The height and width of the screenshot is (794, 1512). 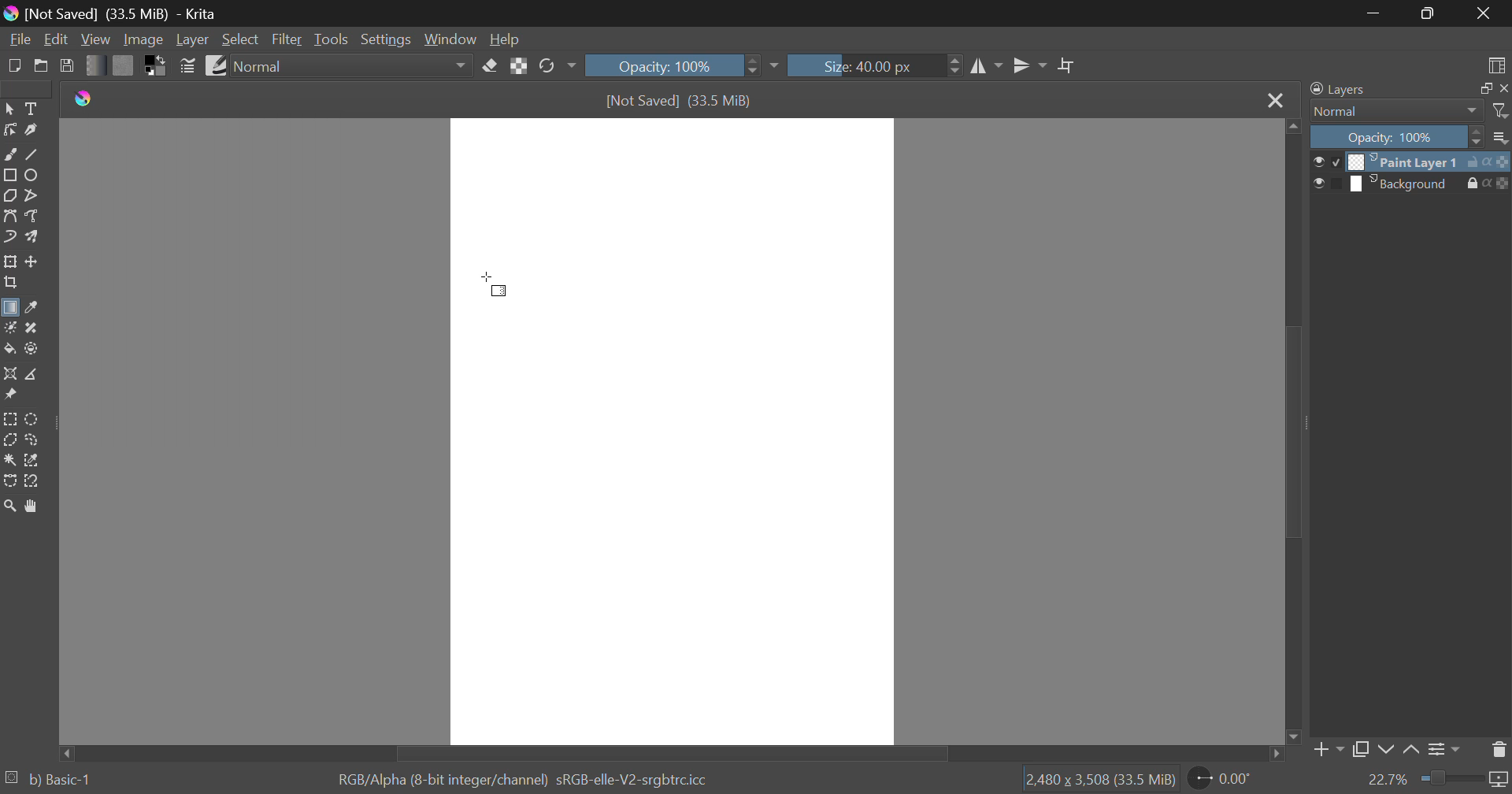 What do you see at coordinates (1481, 89) in the screenshot?
I see `full screen` at bounding box center [1481, 89].